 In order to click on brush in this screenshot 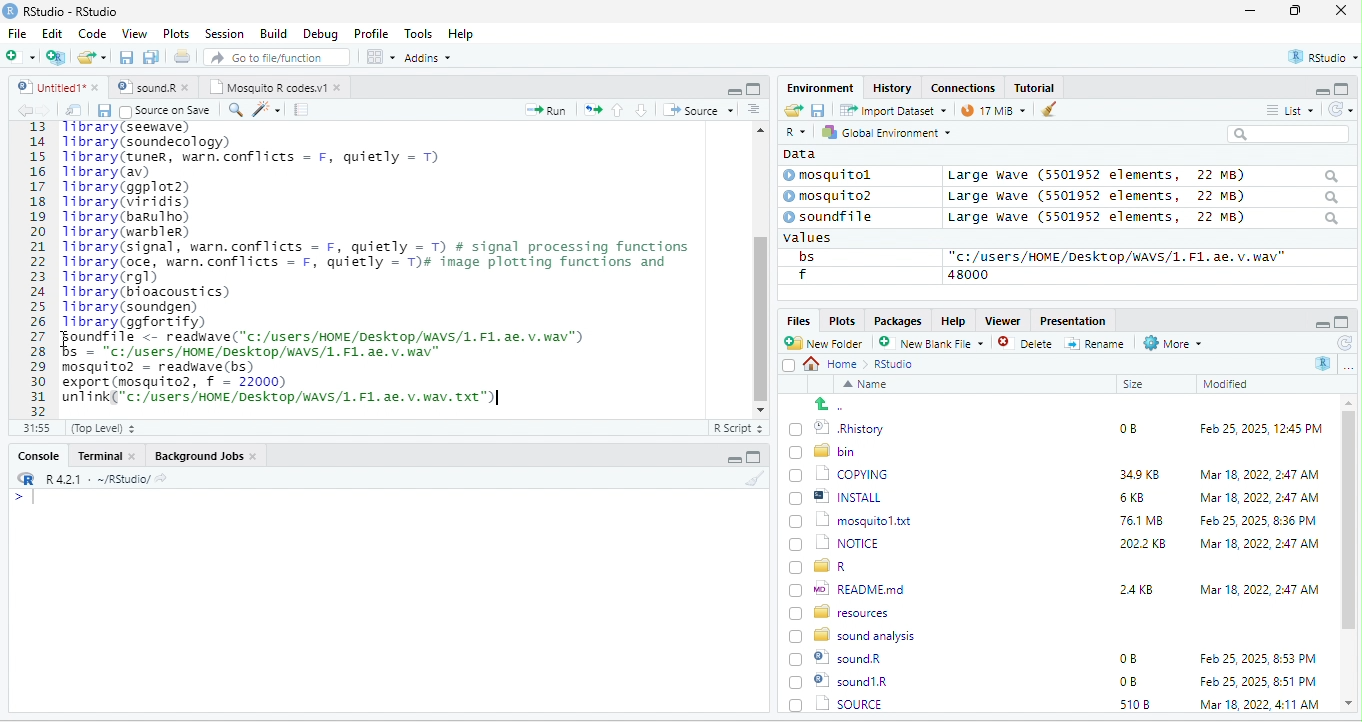, I will do `click(757, 479)`.